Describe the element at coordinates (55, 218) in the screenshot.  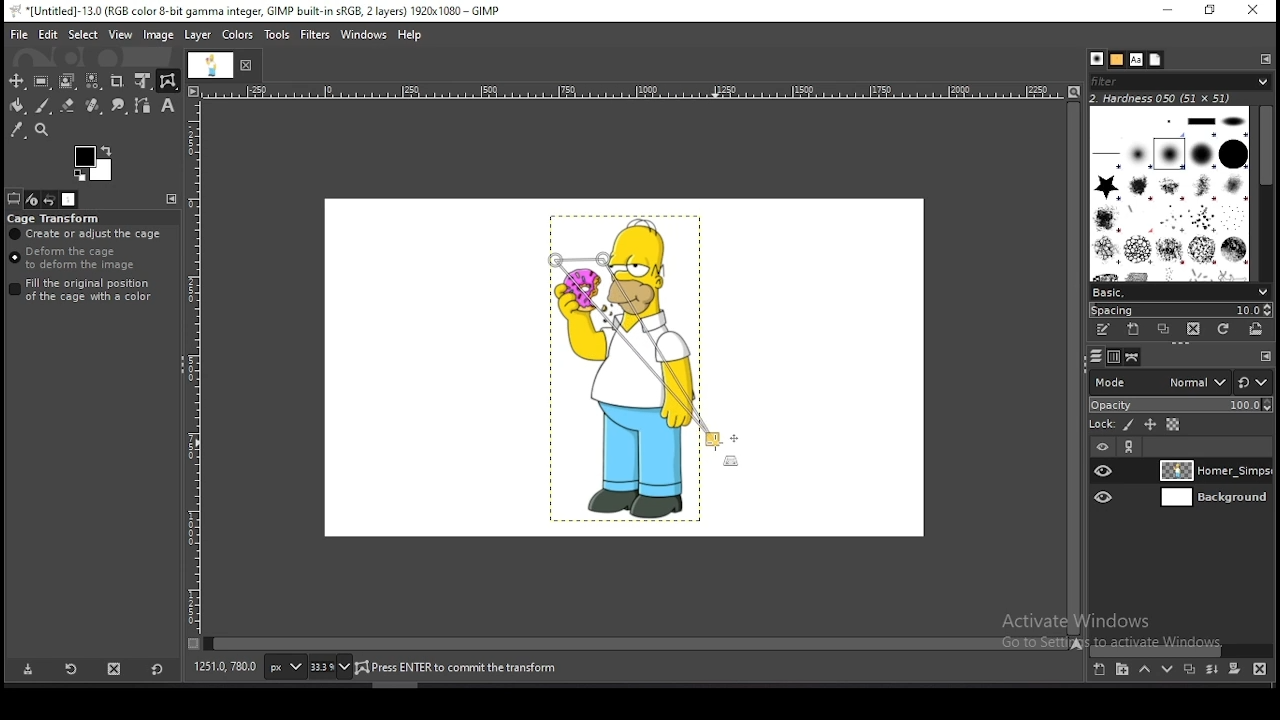
I see `cage transform` at that location.